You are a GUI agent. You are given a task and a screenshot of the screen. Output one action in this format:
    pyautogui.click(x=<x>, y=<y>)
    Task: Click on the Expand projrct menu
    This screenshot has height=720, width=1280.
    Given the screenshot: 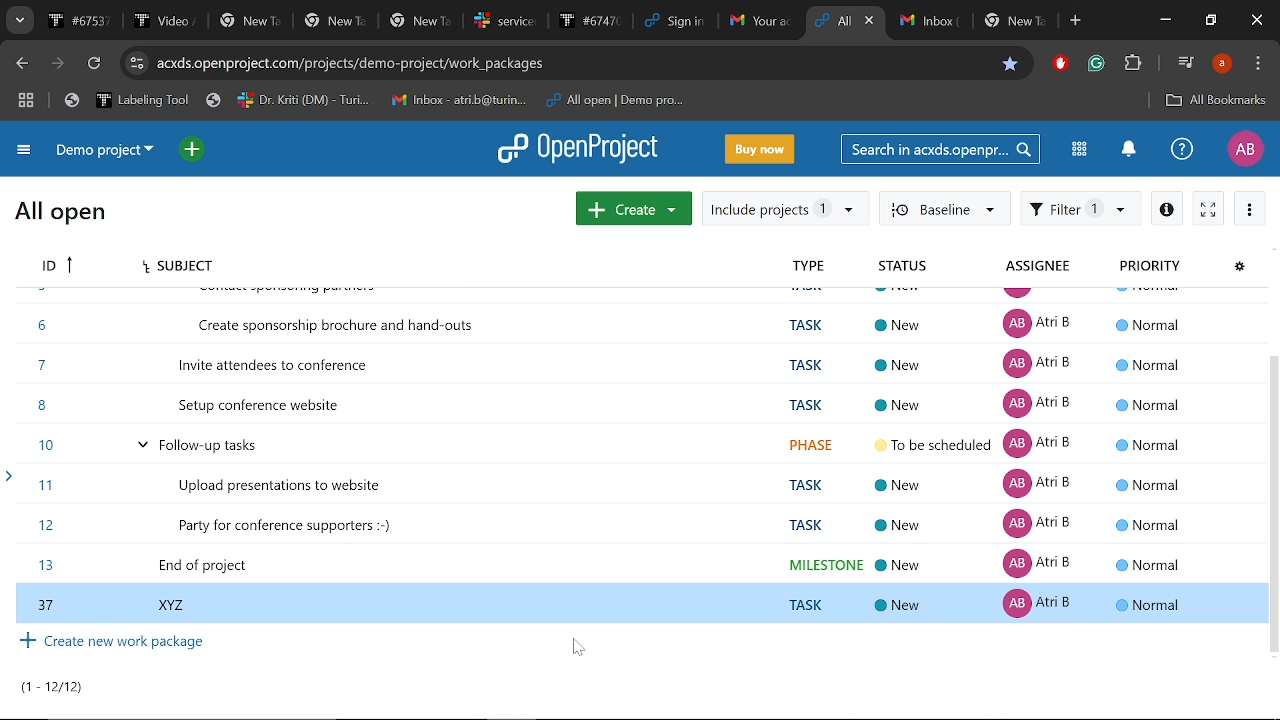 What is the action you would take?
    pyautogui.click(x=25, y=151)
    